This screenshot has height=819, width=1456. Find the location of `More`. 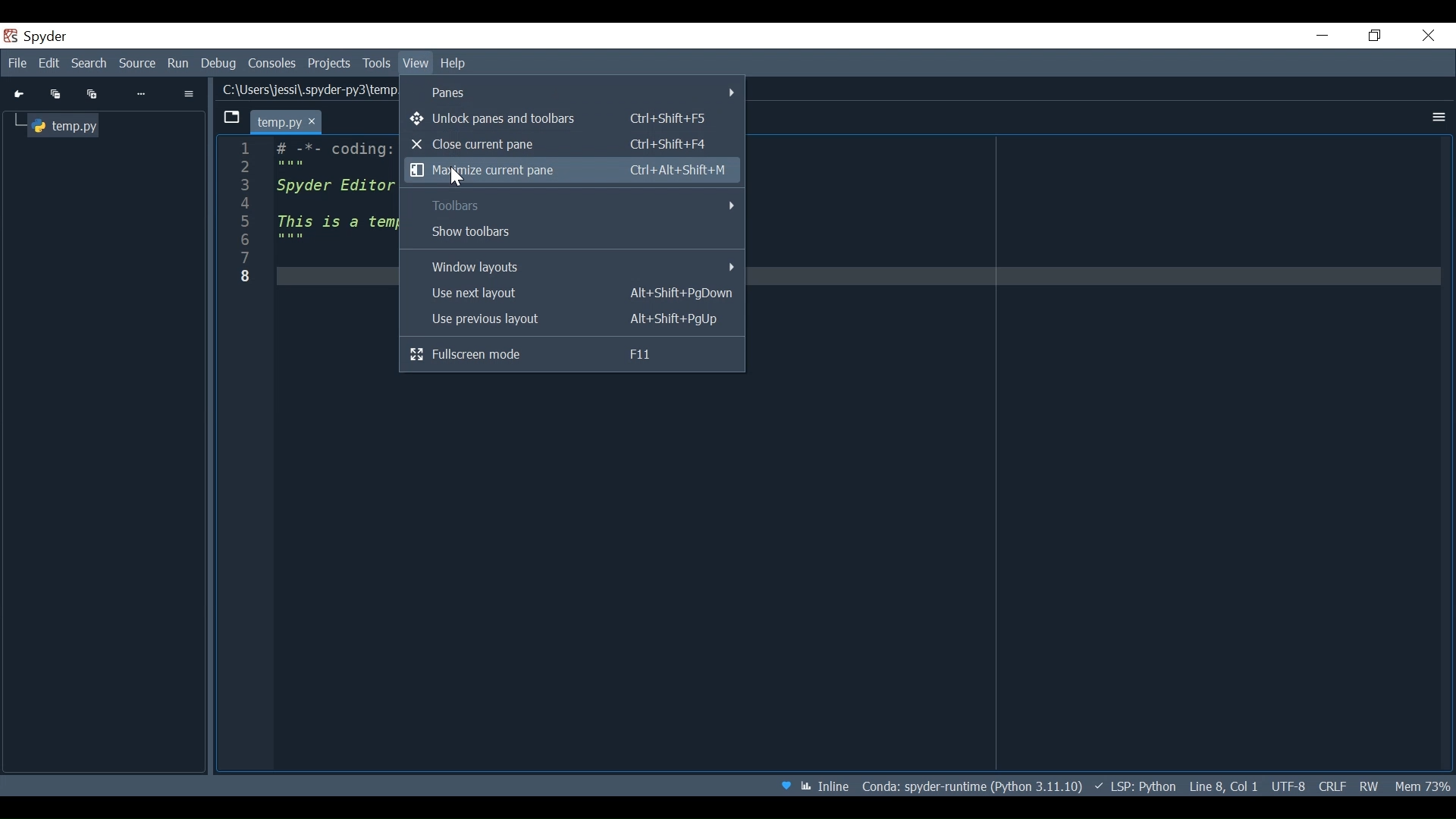

More is located at coordinates (142, 94).